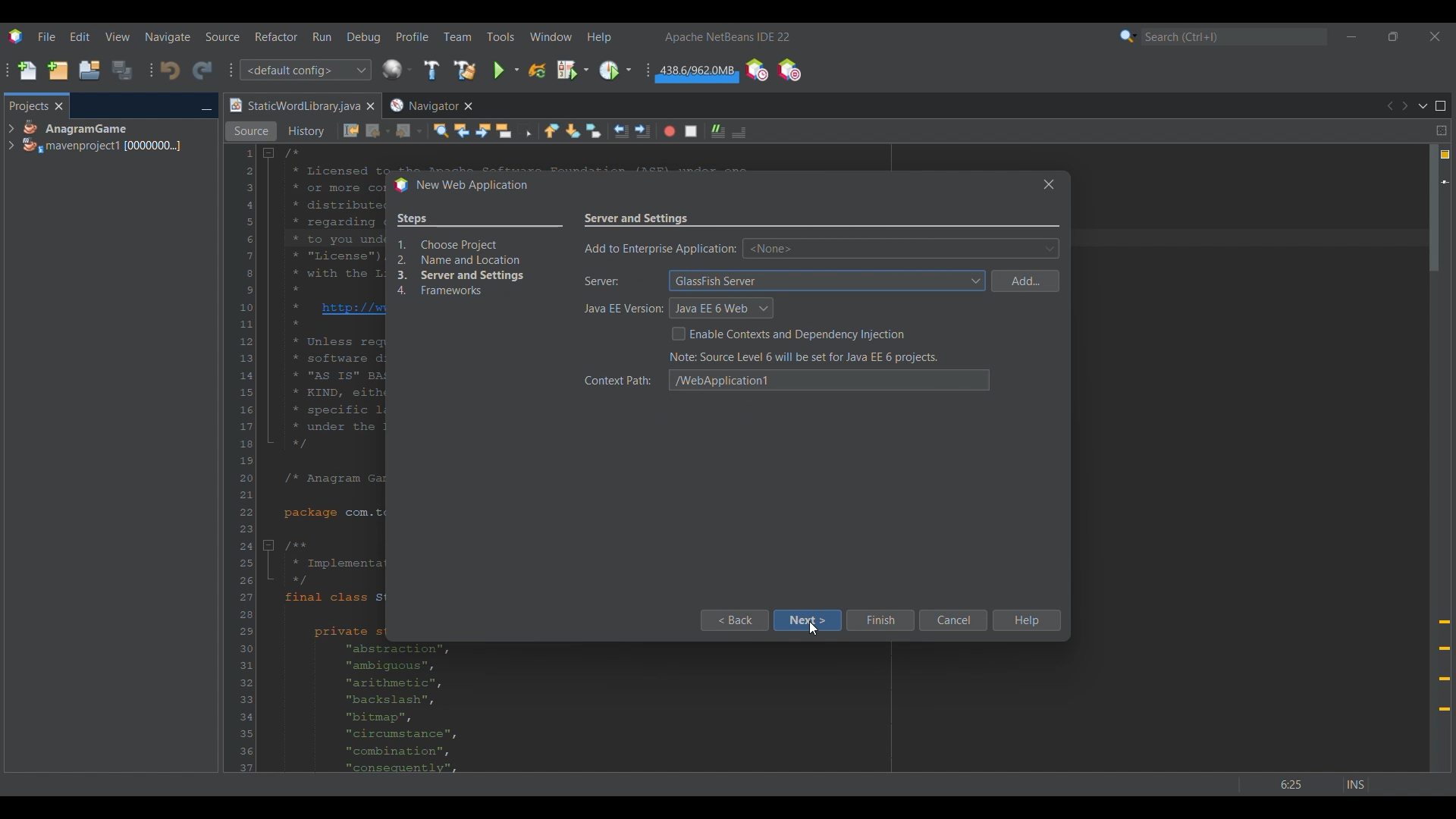  Describe the element at coordinates (462, 130) in the screenshot. I see `Find previous occurrences` at that location.